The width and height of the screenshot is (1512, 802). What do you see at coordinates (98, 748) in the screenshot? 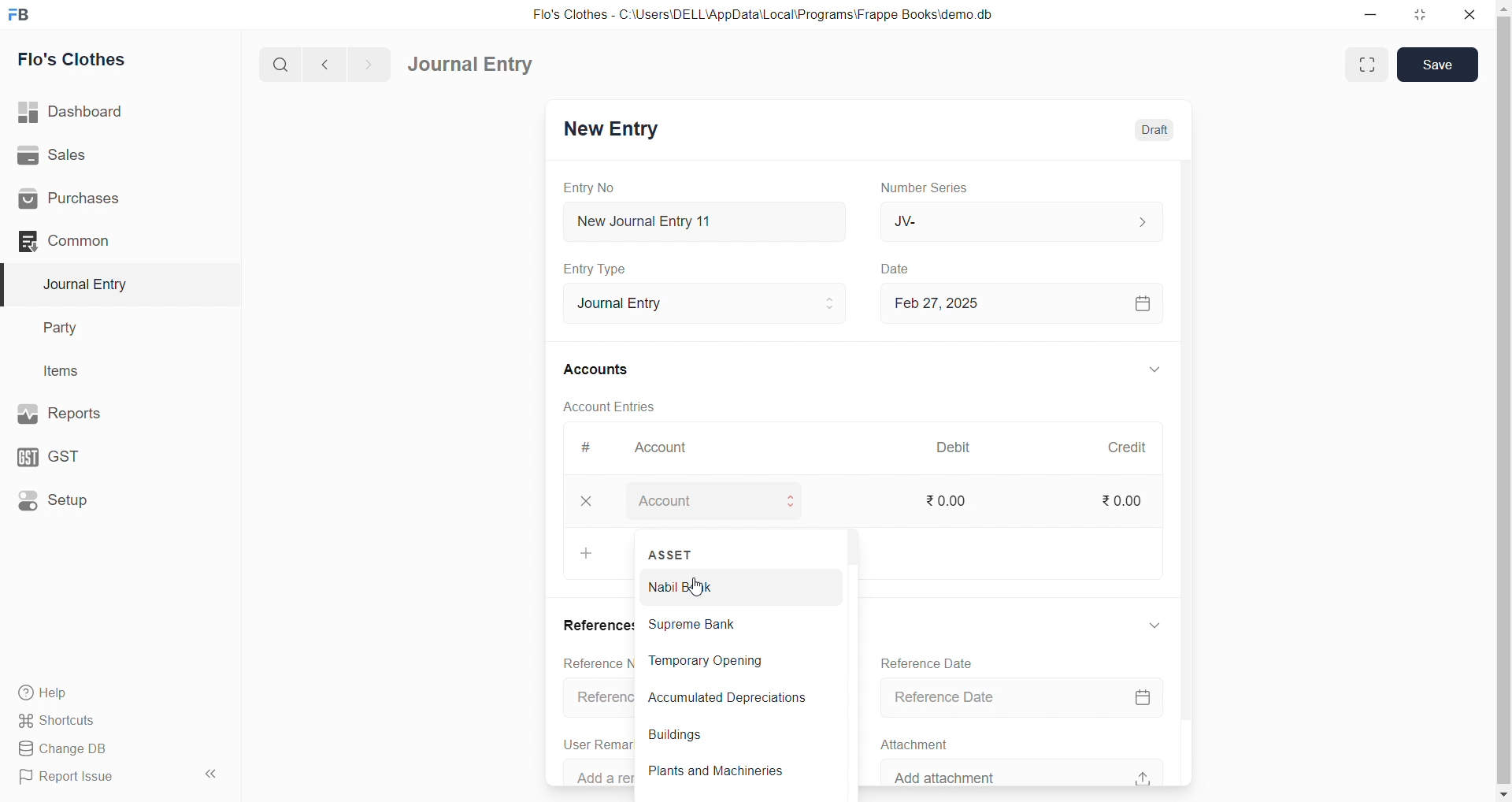
I see `Change DB` at bounding box center [98, 748].